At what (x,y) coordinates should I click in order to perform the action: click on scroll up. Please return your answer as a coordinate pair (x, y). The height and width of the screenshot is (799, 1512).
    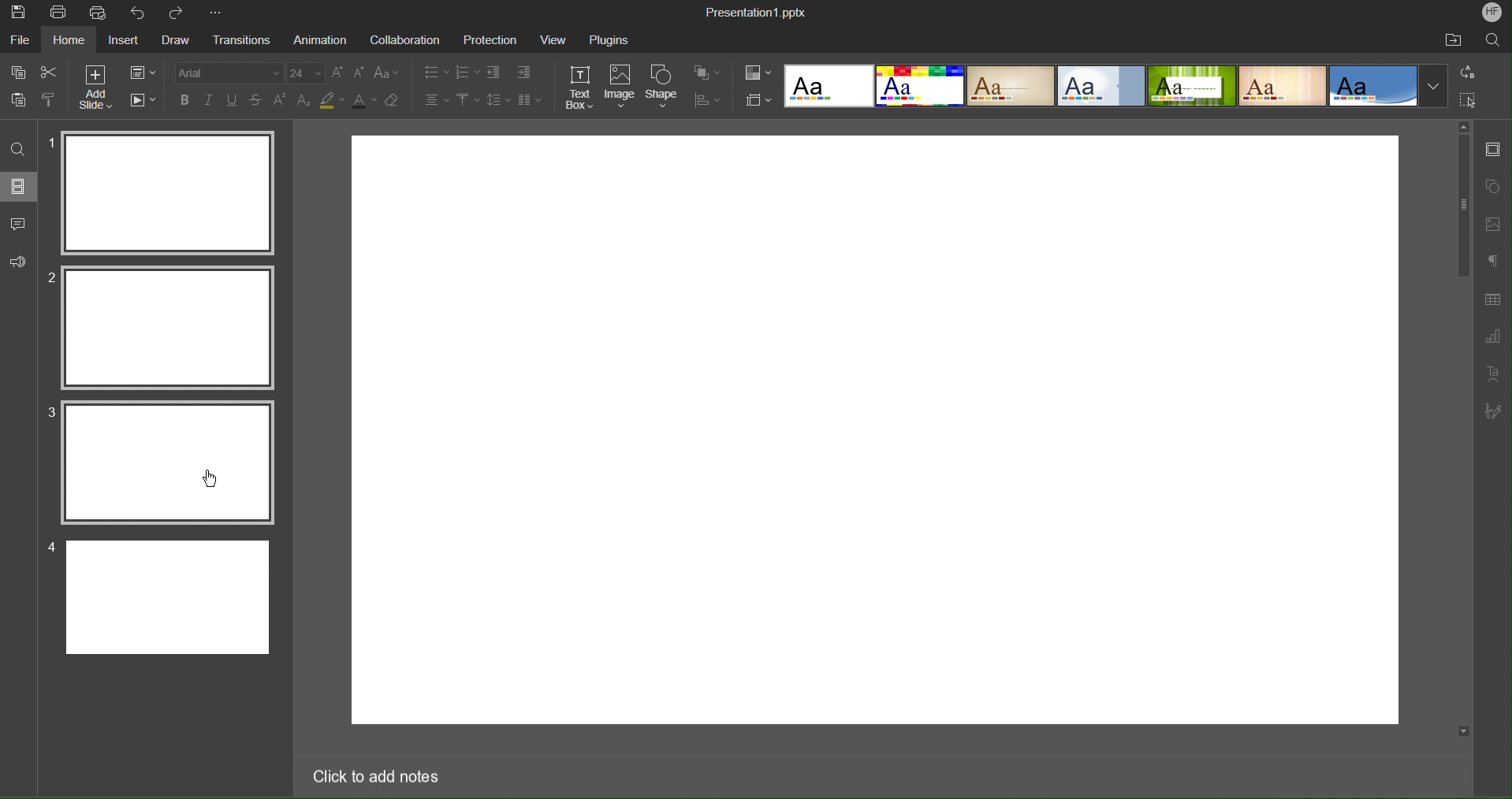
    Looking at the image, I should click on (1463, 125).